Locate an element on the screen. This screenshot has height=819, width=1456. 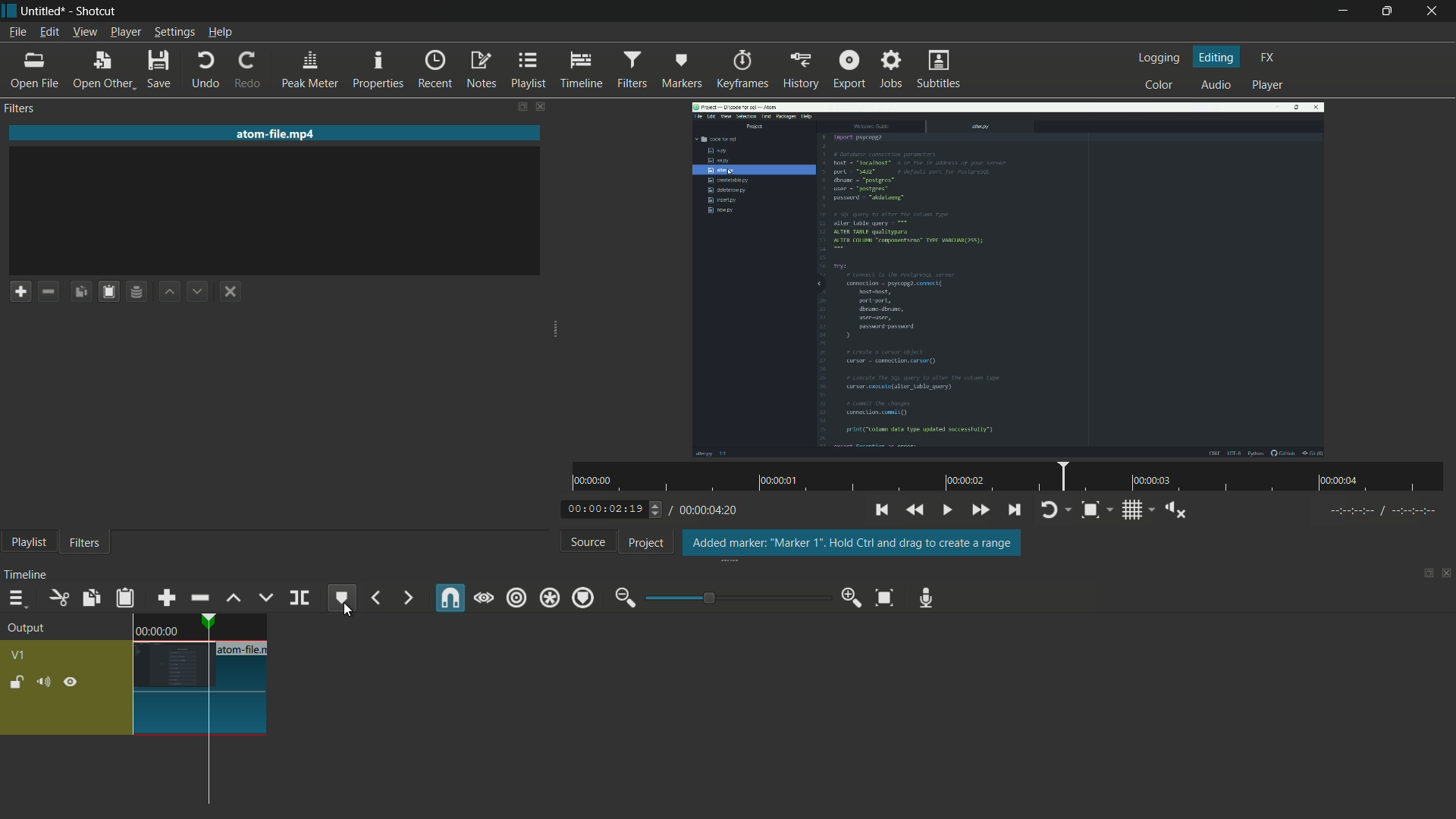
keyframes is located at coordinates (740, 71).